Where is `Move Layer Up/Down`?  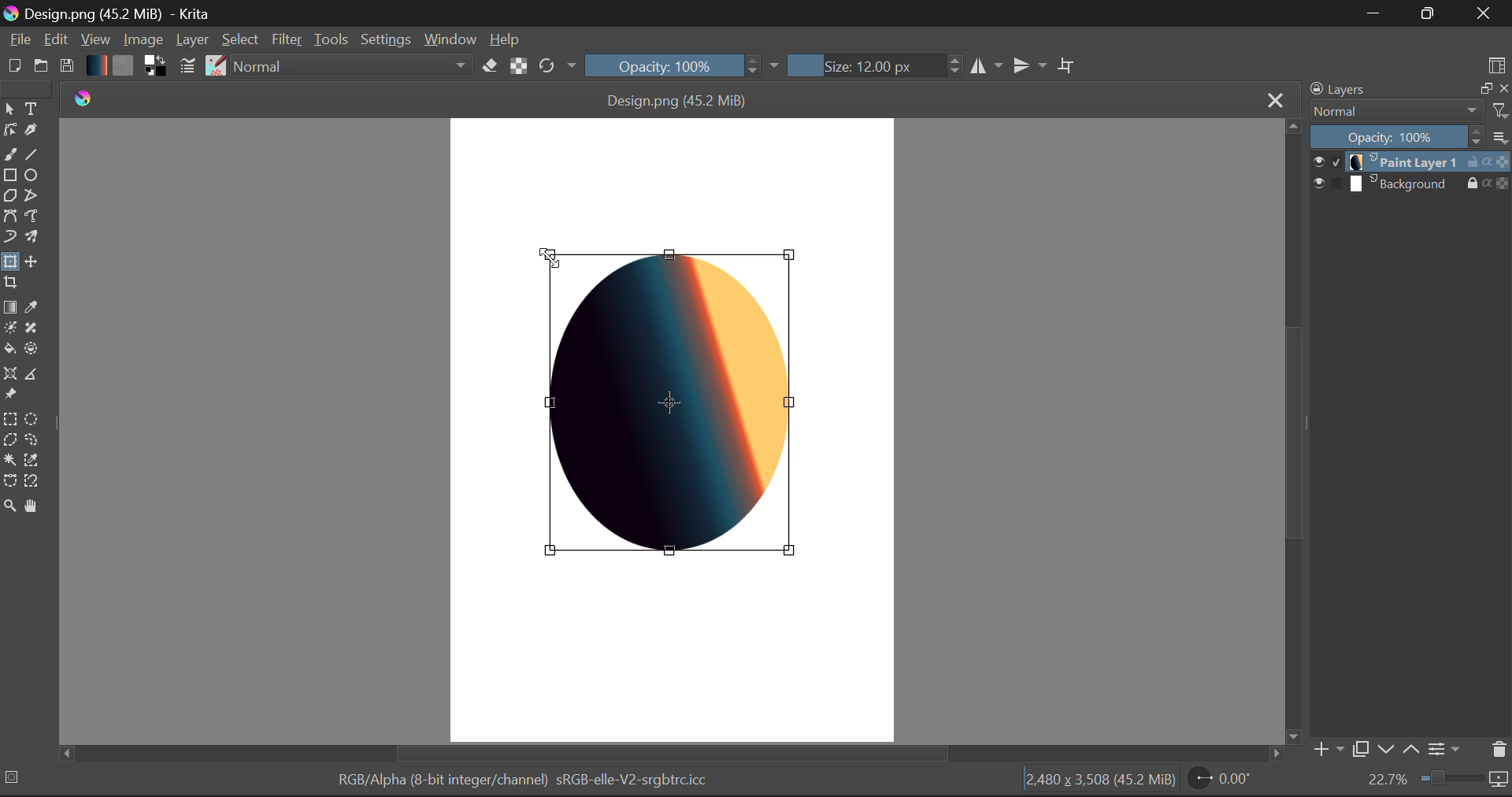 Move Layer Up/Down is located at coordinates (1399, 749).